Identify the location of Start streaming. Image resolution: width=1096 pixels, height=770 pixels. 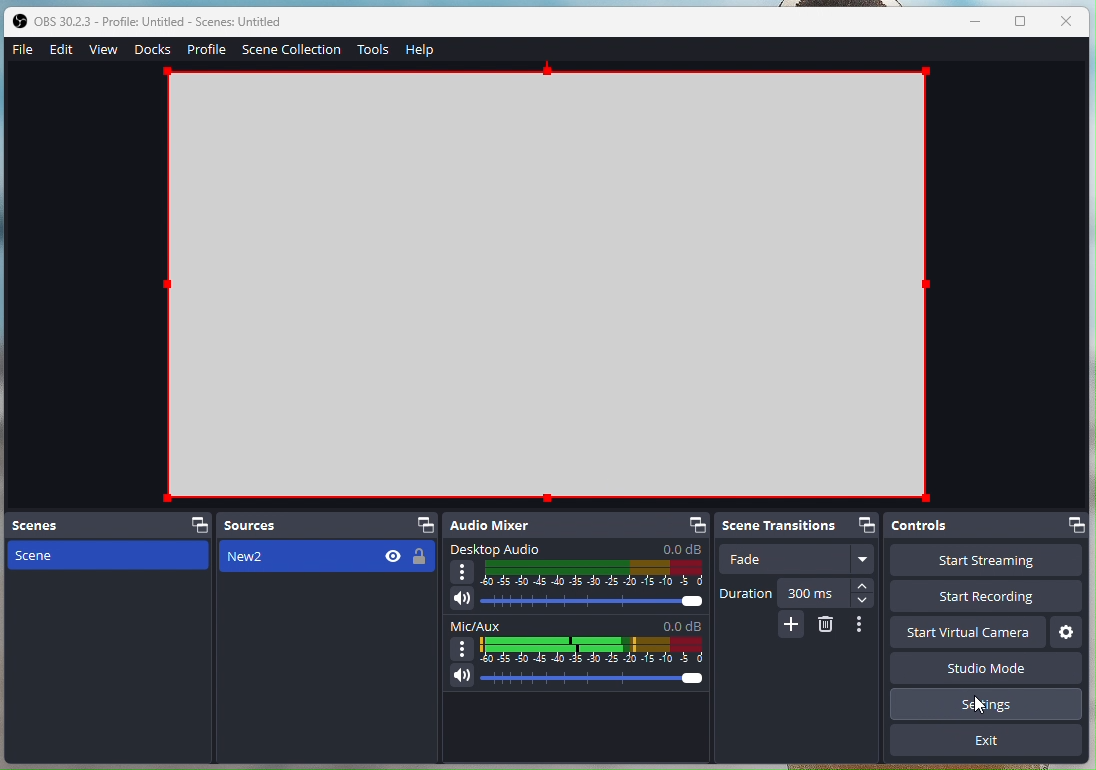
(988, 561).